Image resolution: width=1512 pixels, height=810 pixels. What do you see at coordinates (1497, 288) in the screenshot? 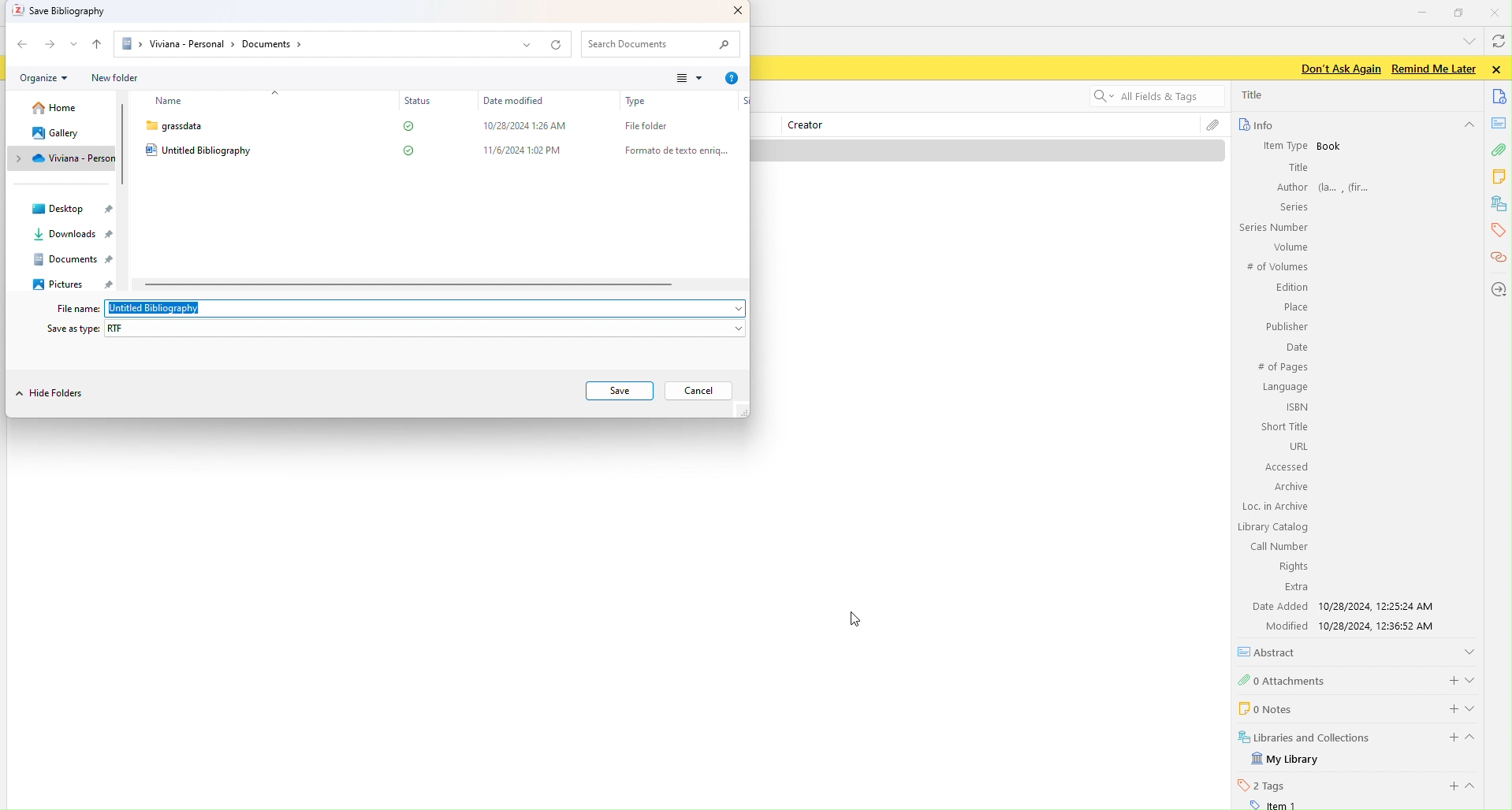
I see `location` at bounding box center [1497, 288].